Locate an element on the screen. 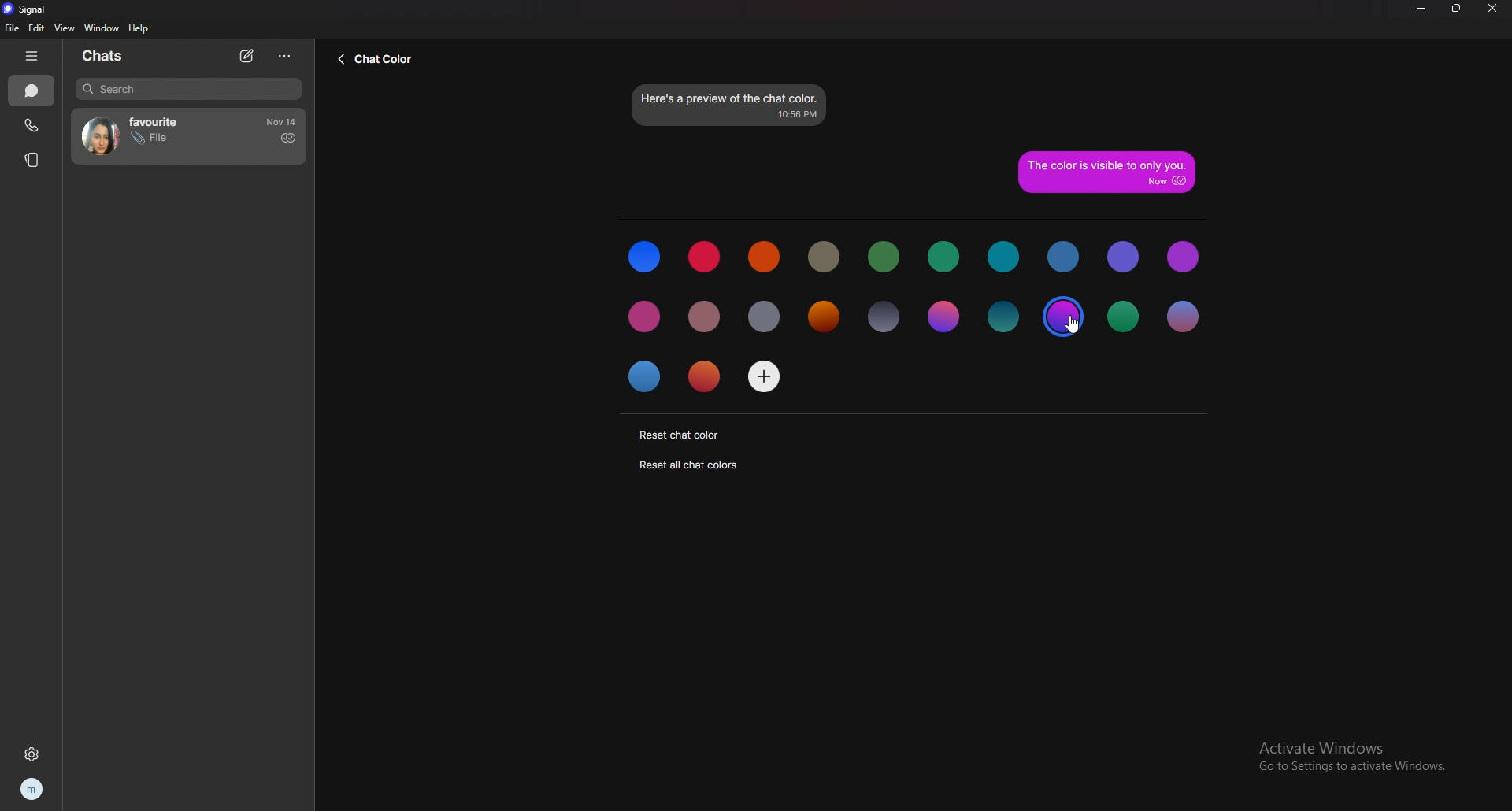  window is located at coordinates (102, 28).